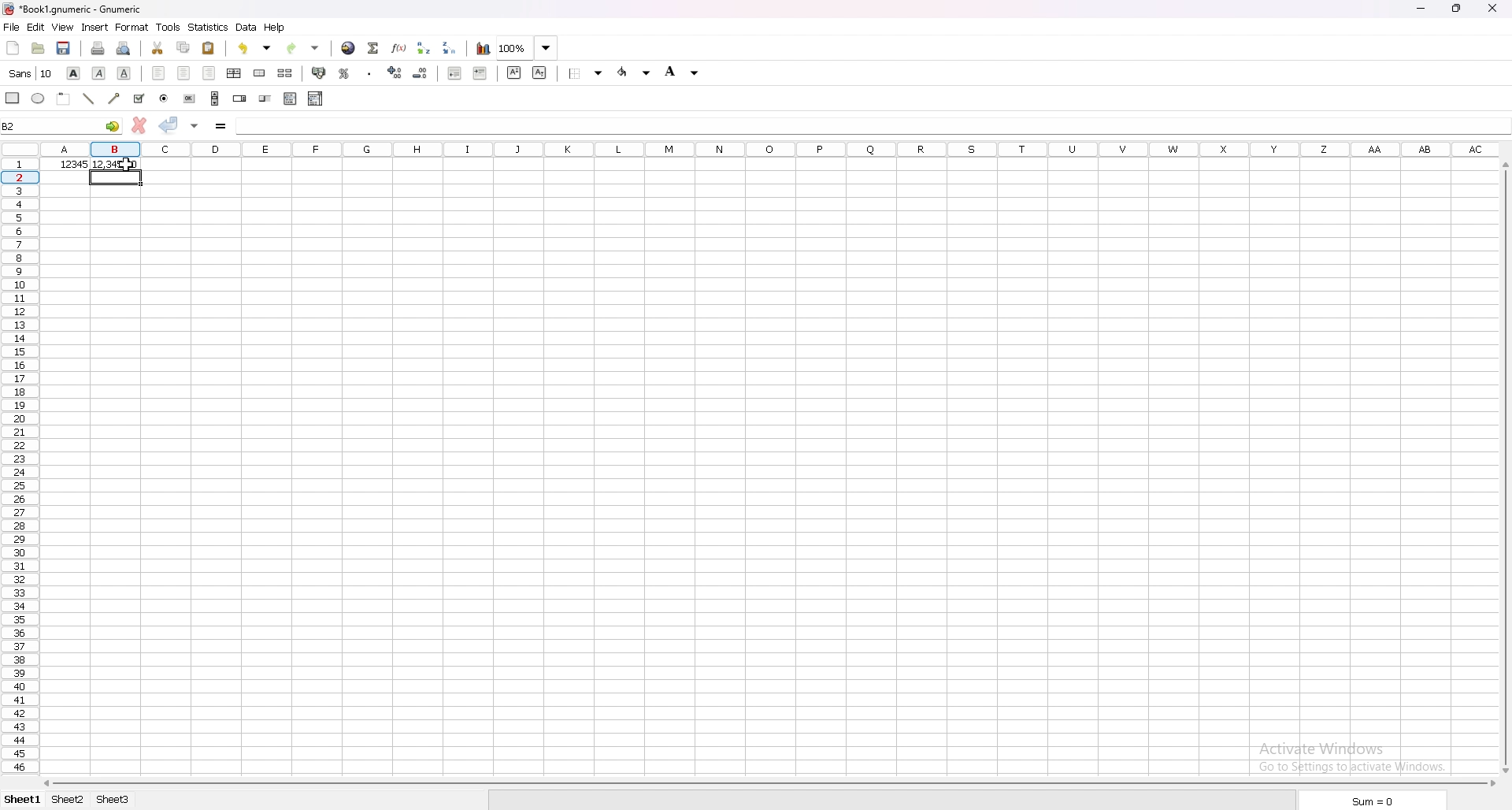 Image resolution: width=1512 pixels, height=810 pixels. I want to click on radio button, so click(164, 98).